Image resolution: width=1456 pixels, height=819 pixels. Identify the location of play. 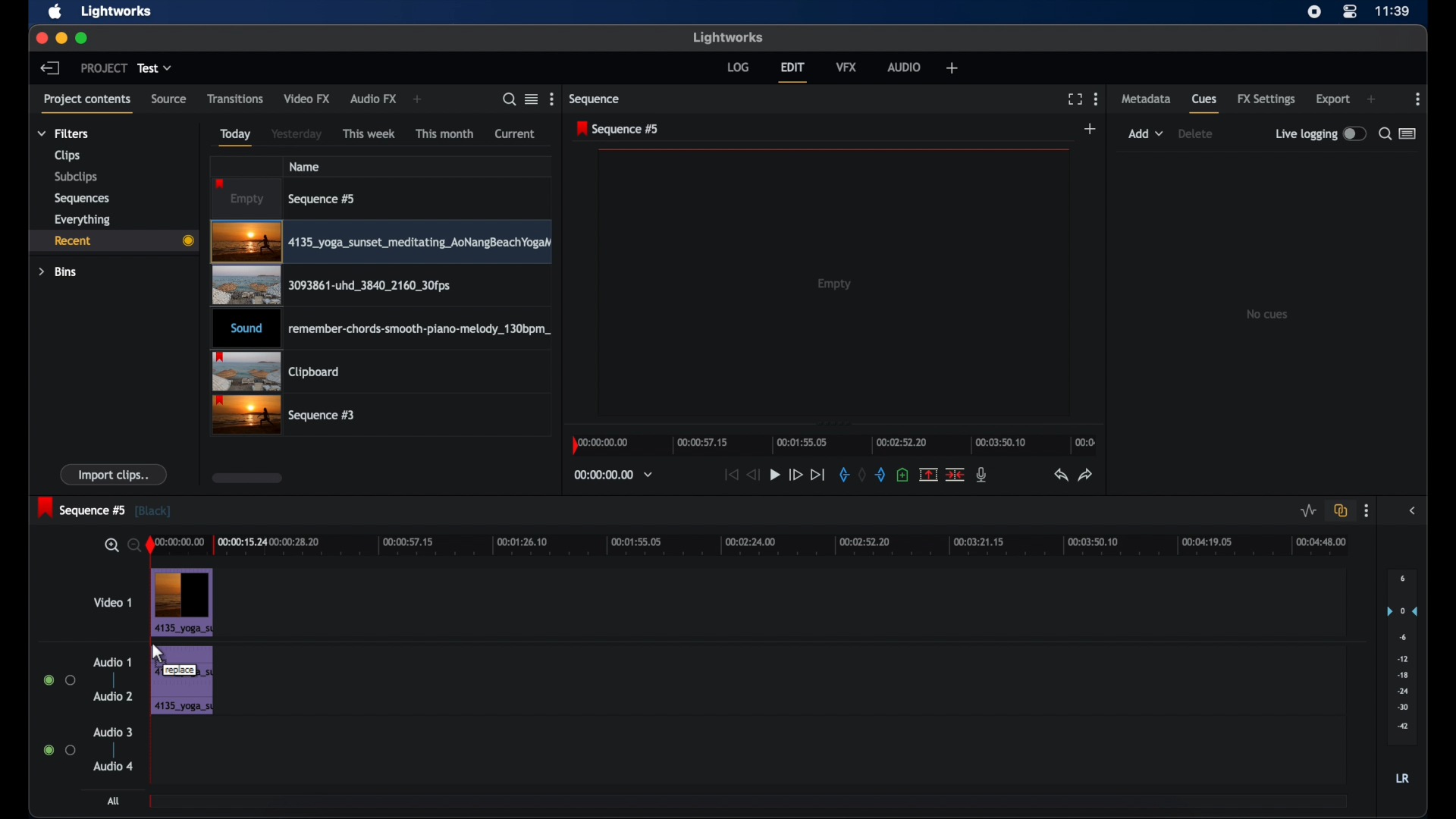
(775, 475).